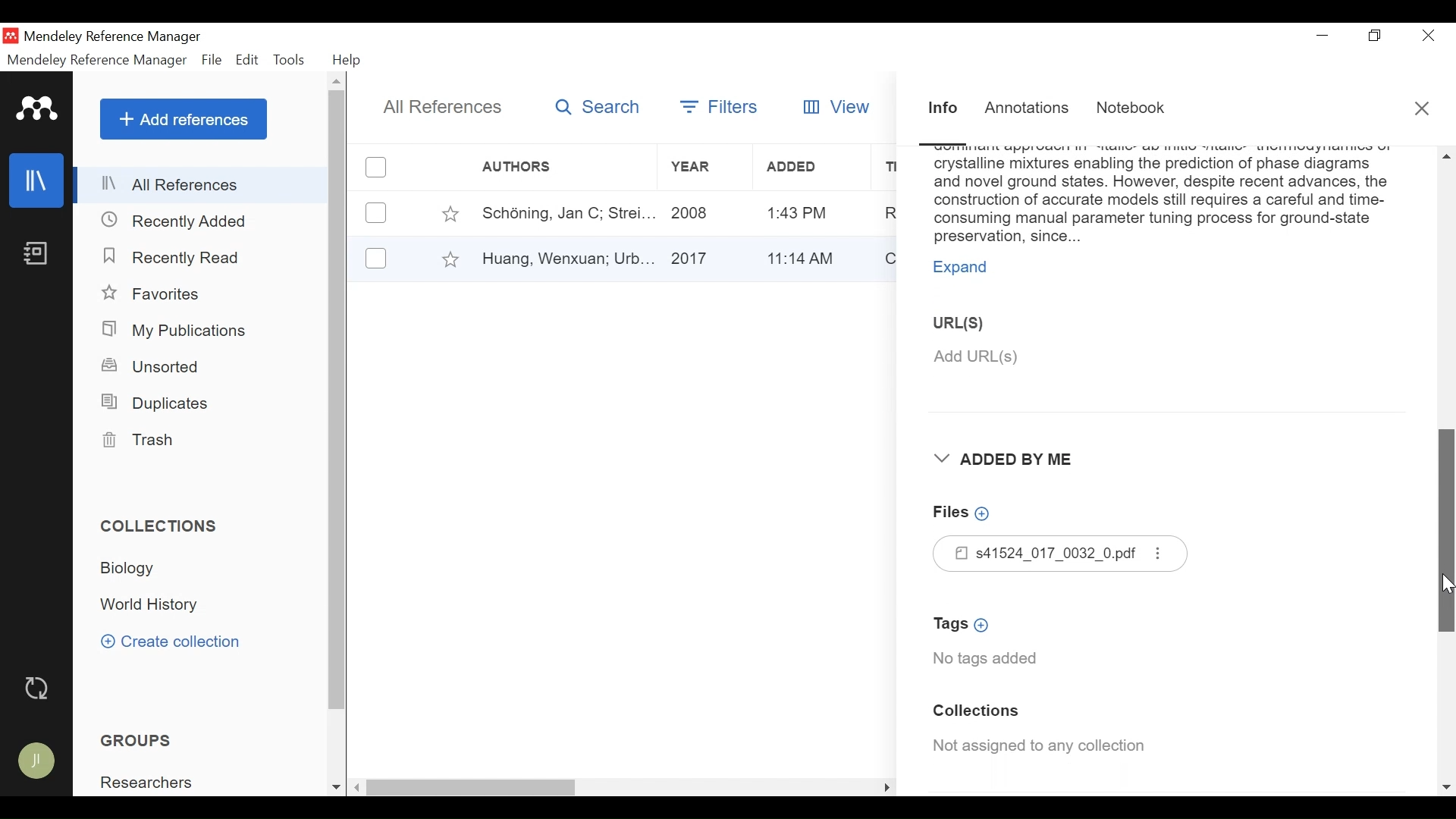 This screenshot has width=1456, height=819. What do you see at coordinates (808, 168) in the screenshot?
I see `Added` at bounding box center [808, 168].